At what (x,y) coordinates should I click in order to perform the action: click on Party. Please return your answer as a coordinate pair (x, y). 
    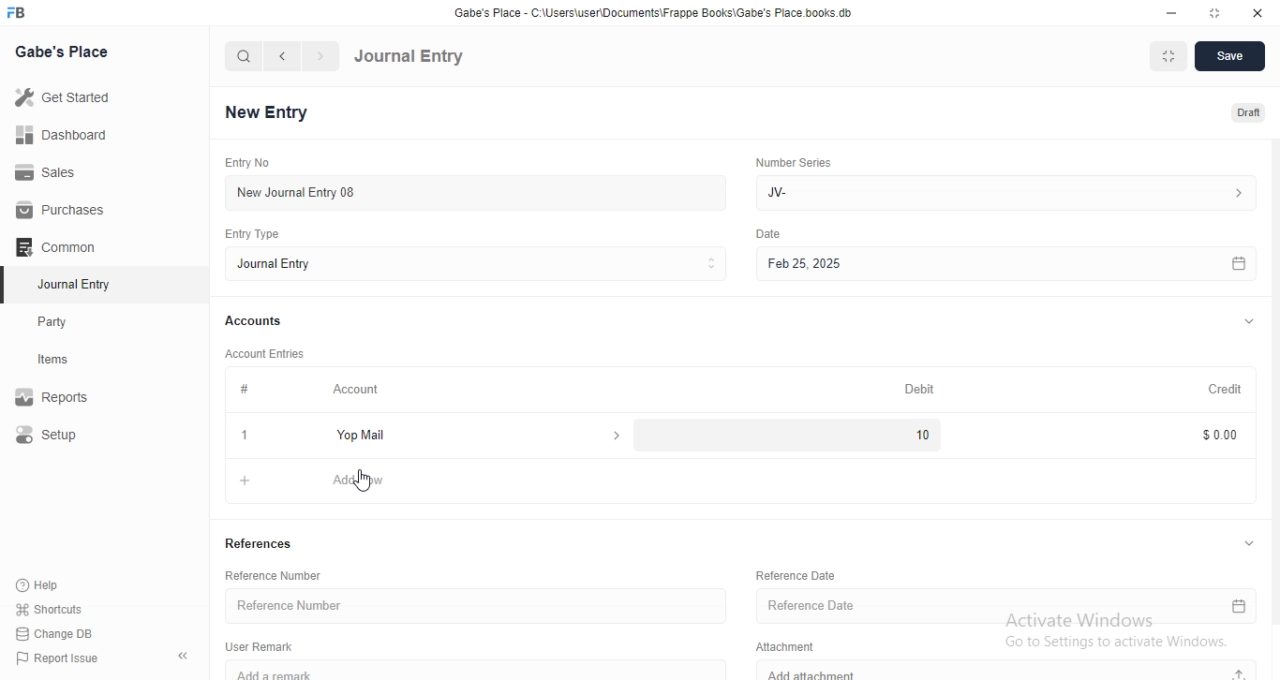
    Looking at the image, I should click on (72, 322).